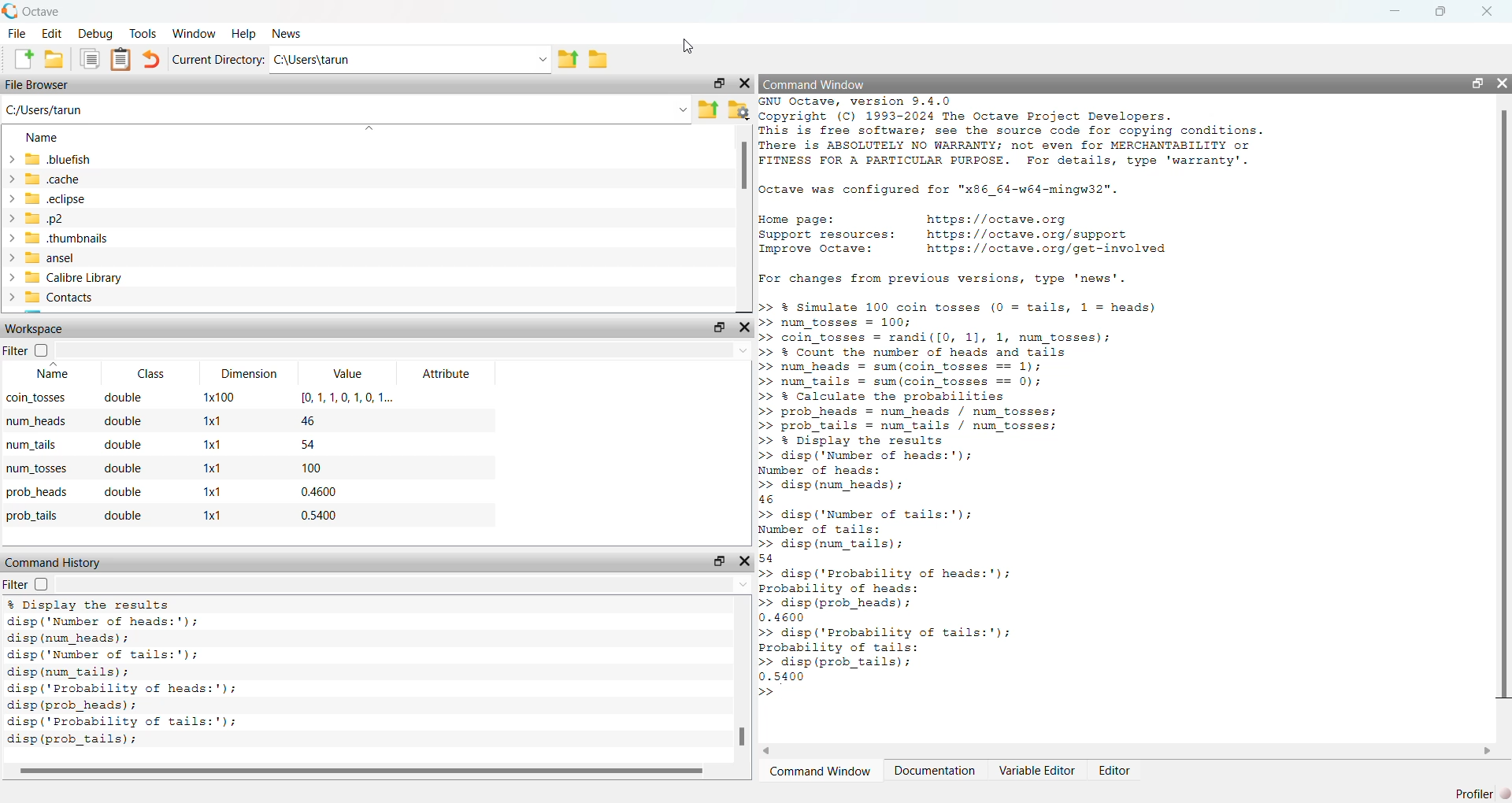 Image resolution: width=1512 pixels, height=803 pixels. Describe the element at coordinates (1507, 405) in the screenshot. I see `scroll bar` at that location.